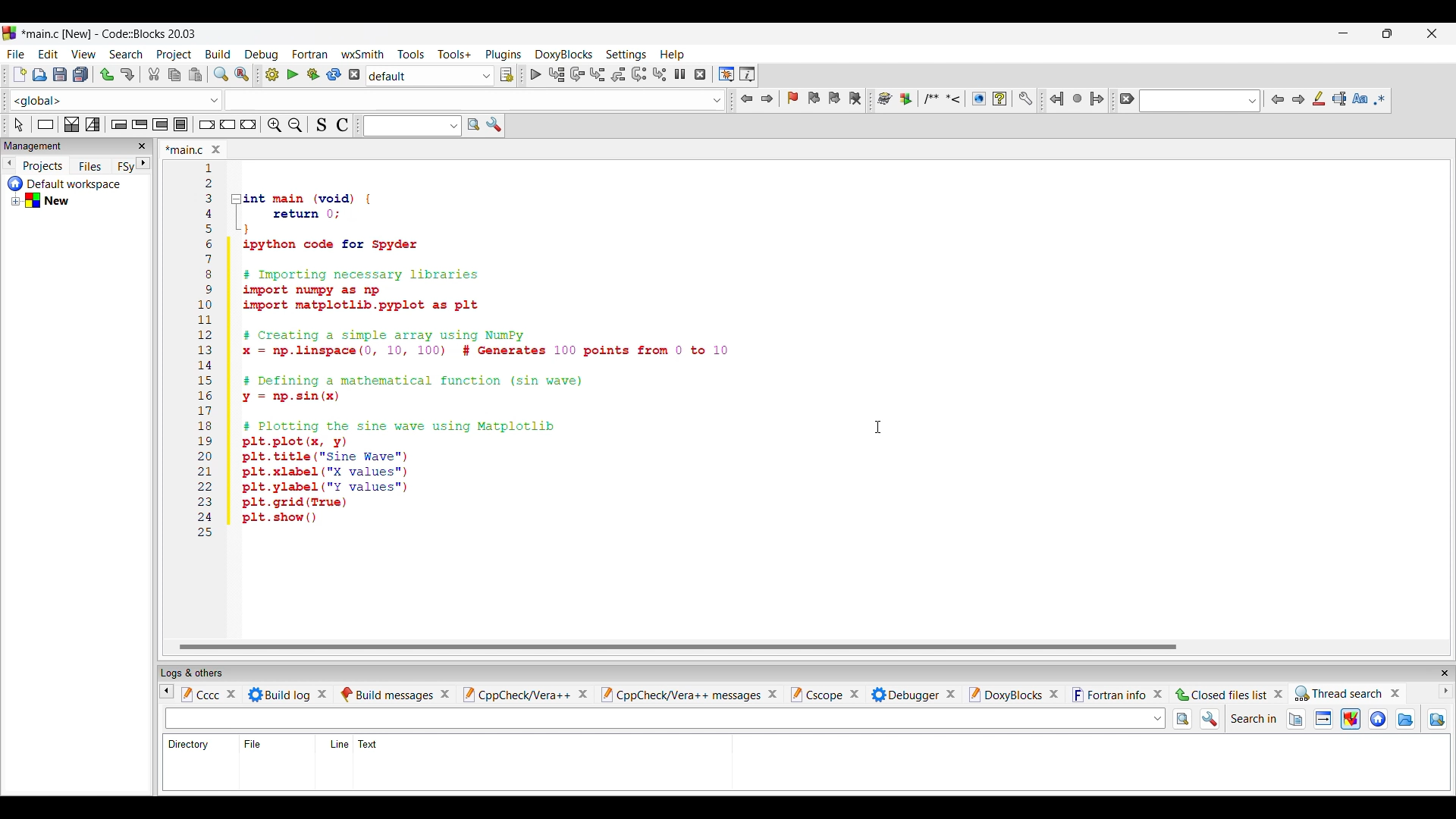 The height and width of the screenshot is (819, 1456). Describe the element at coordinates (836, 98) in the screenshot. I see `Next bookmark` at that location.